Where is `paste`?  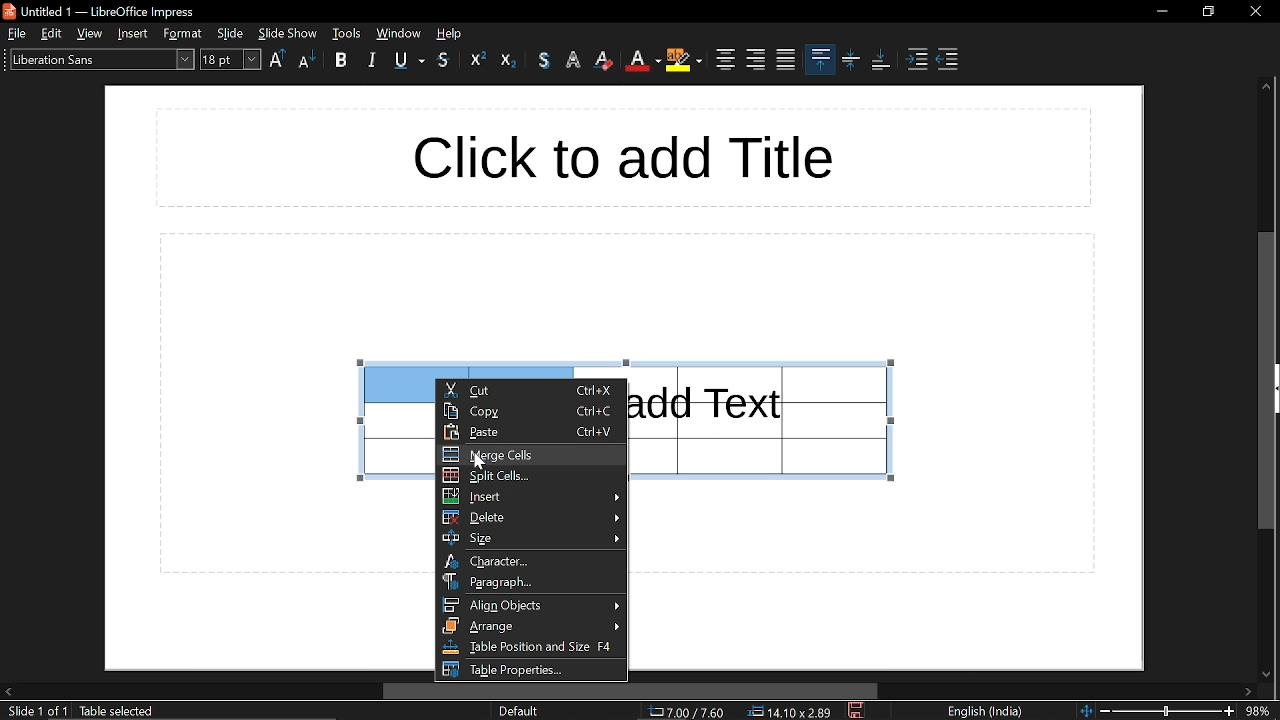
paste is located at coordinates (534, 433).